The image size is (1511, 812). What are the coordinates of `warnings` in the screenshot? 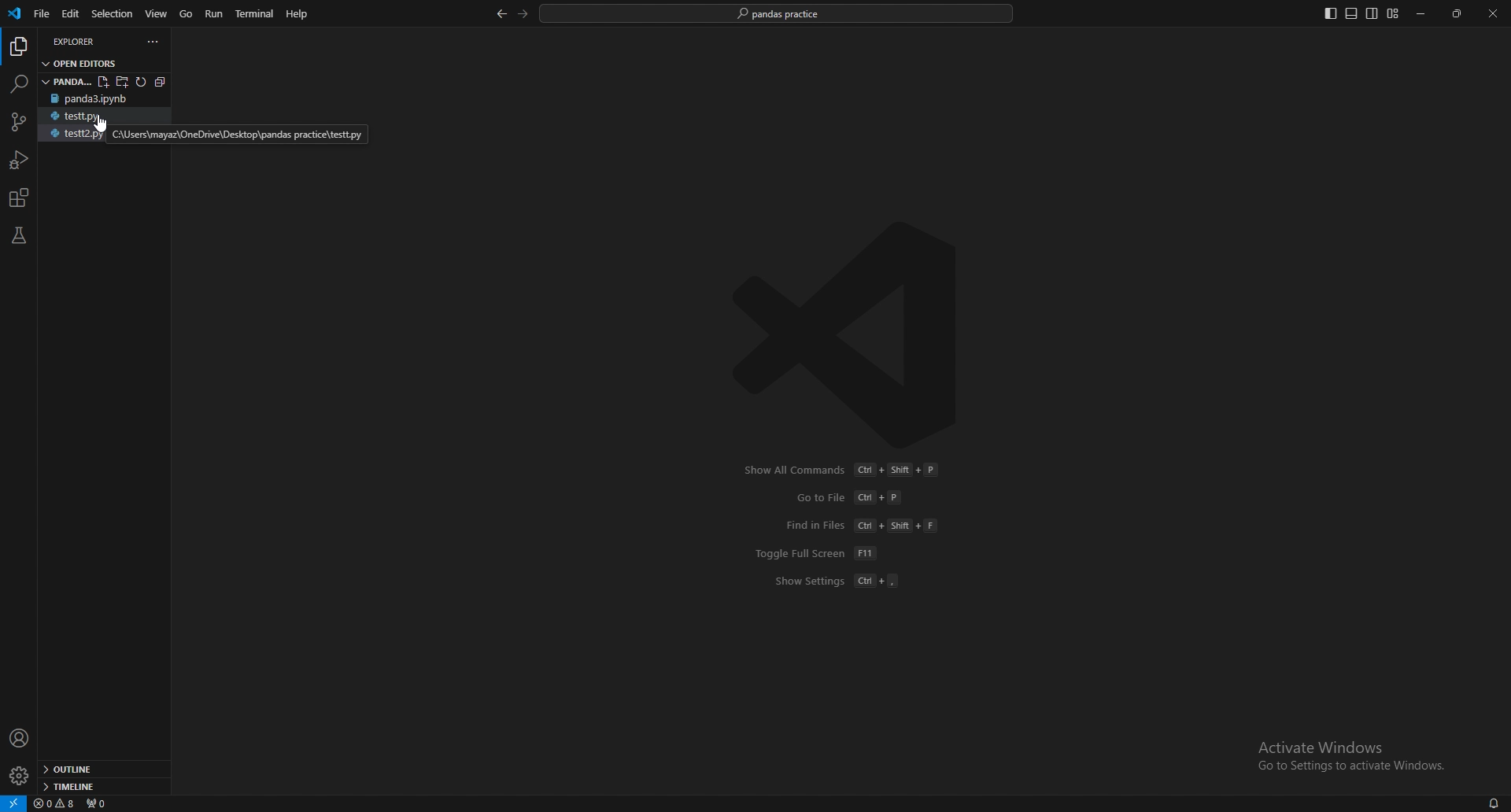 It's located at (55, 803).